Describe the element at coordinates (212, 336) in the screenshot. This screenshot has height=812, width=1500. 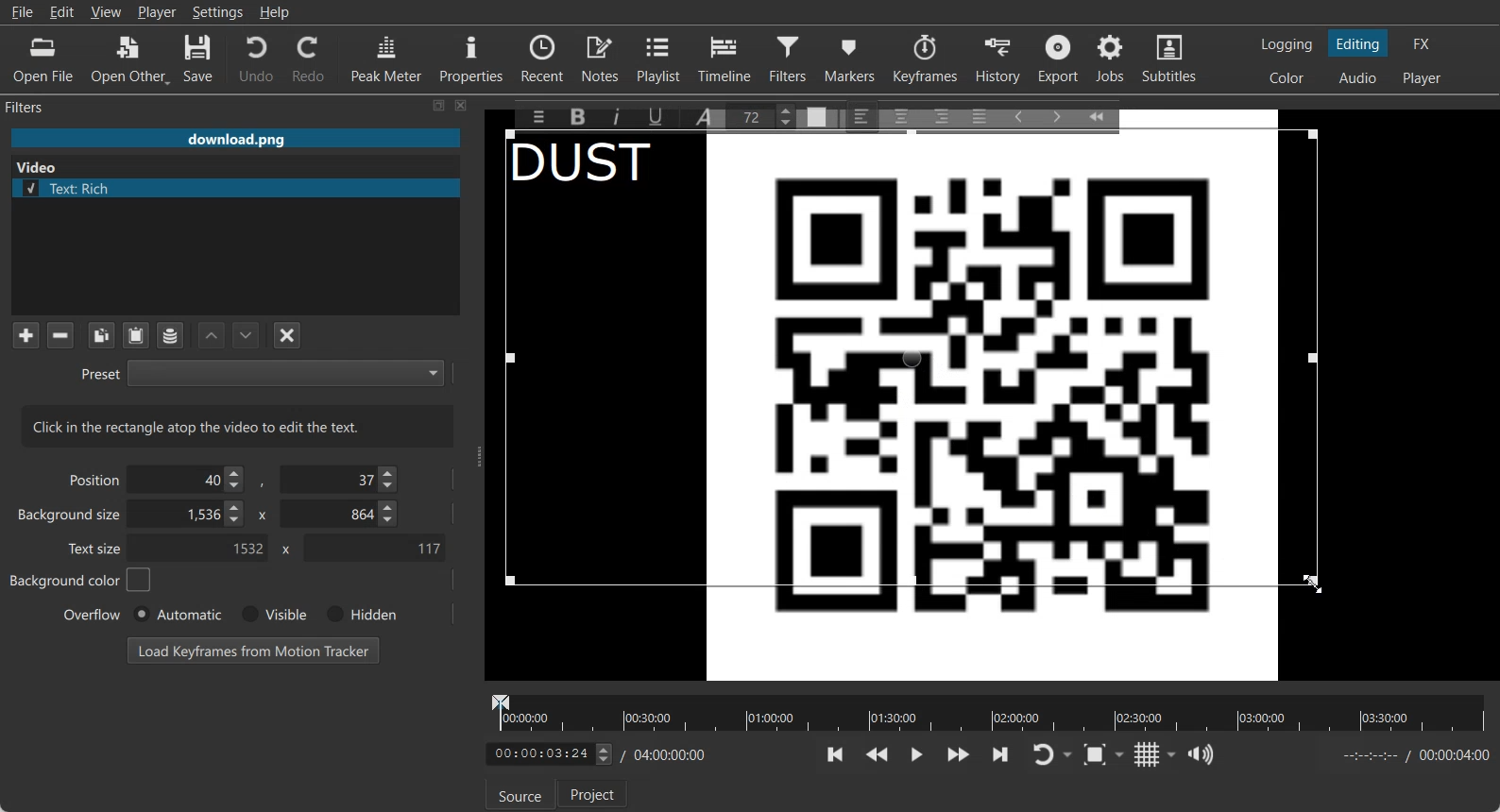
I see `Move Filter up` at that location.